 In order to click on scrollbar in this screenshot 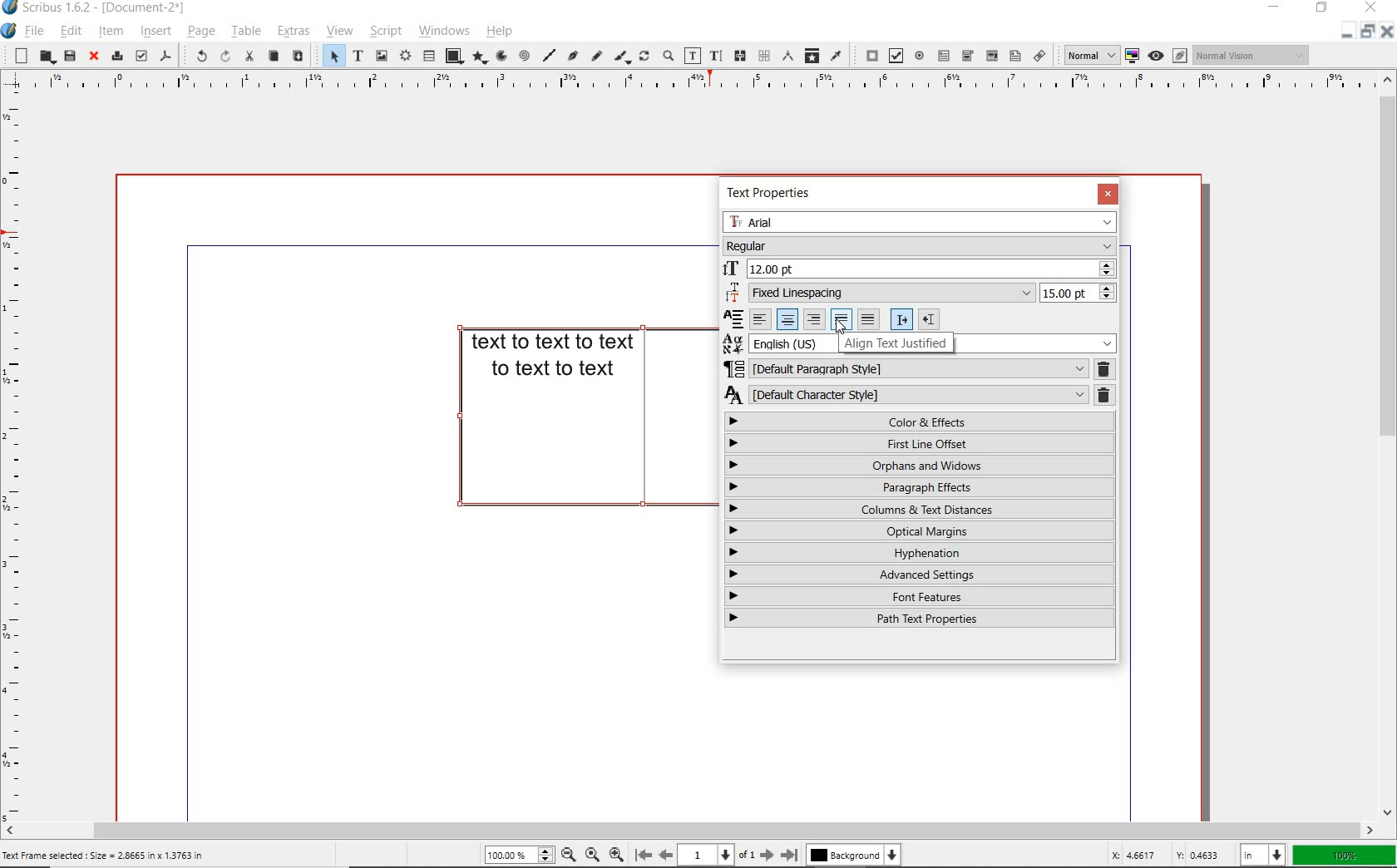, I will do `click(689, 831)`.